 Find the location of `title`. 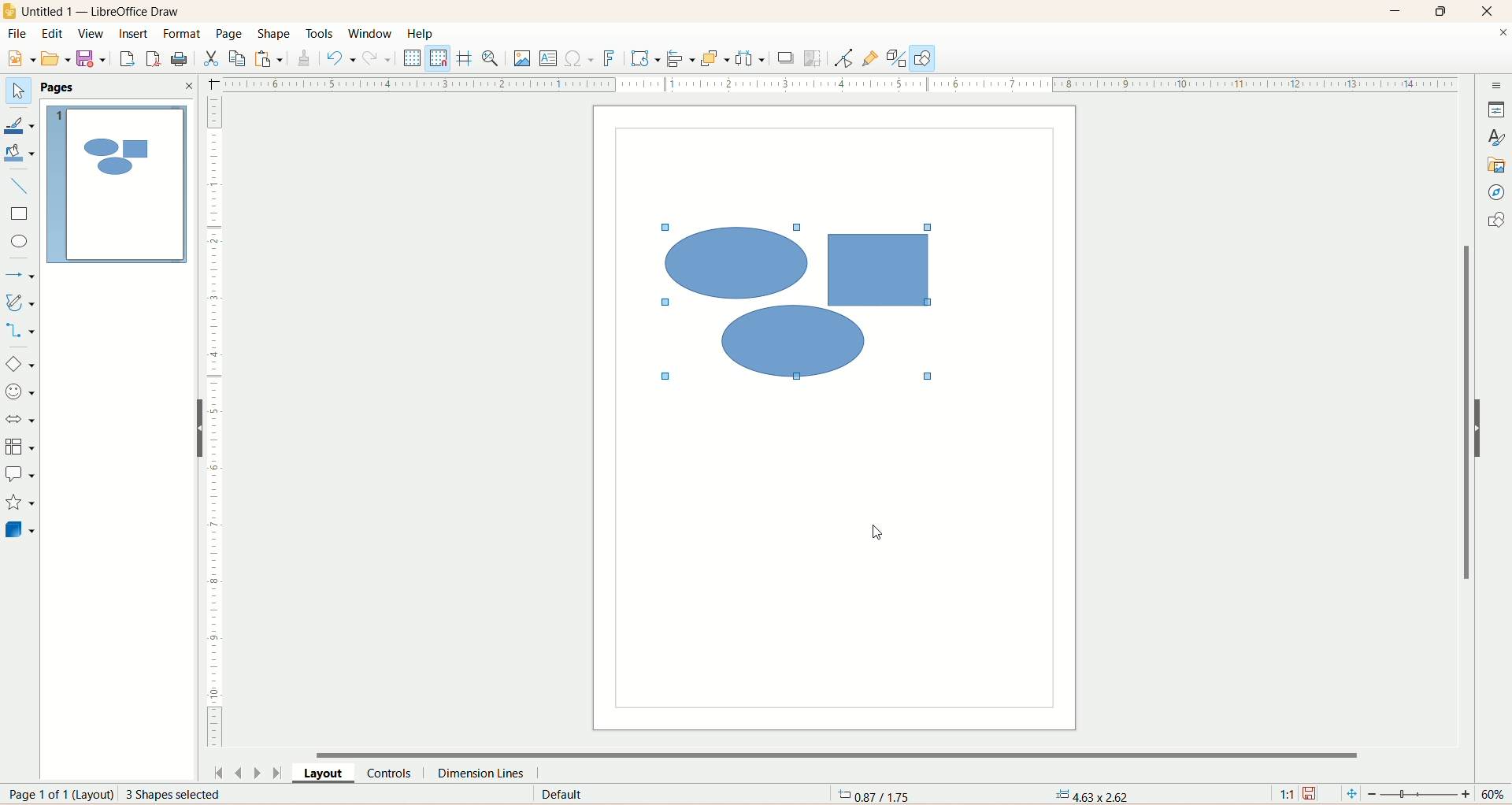

title is located at coordinates (110, 14).